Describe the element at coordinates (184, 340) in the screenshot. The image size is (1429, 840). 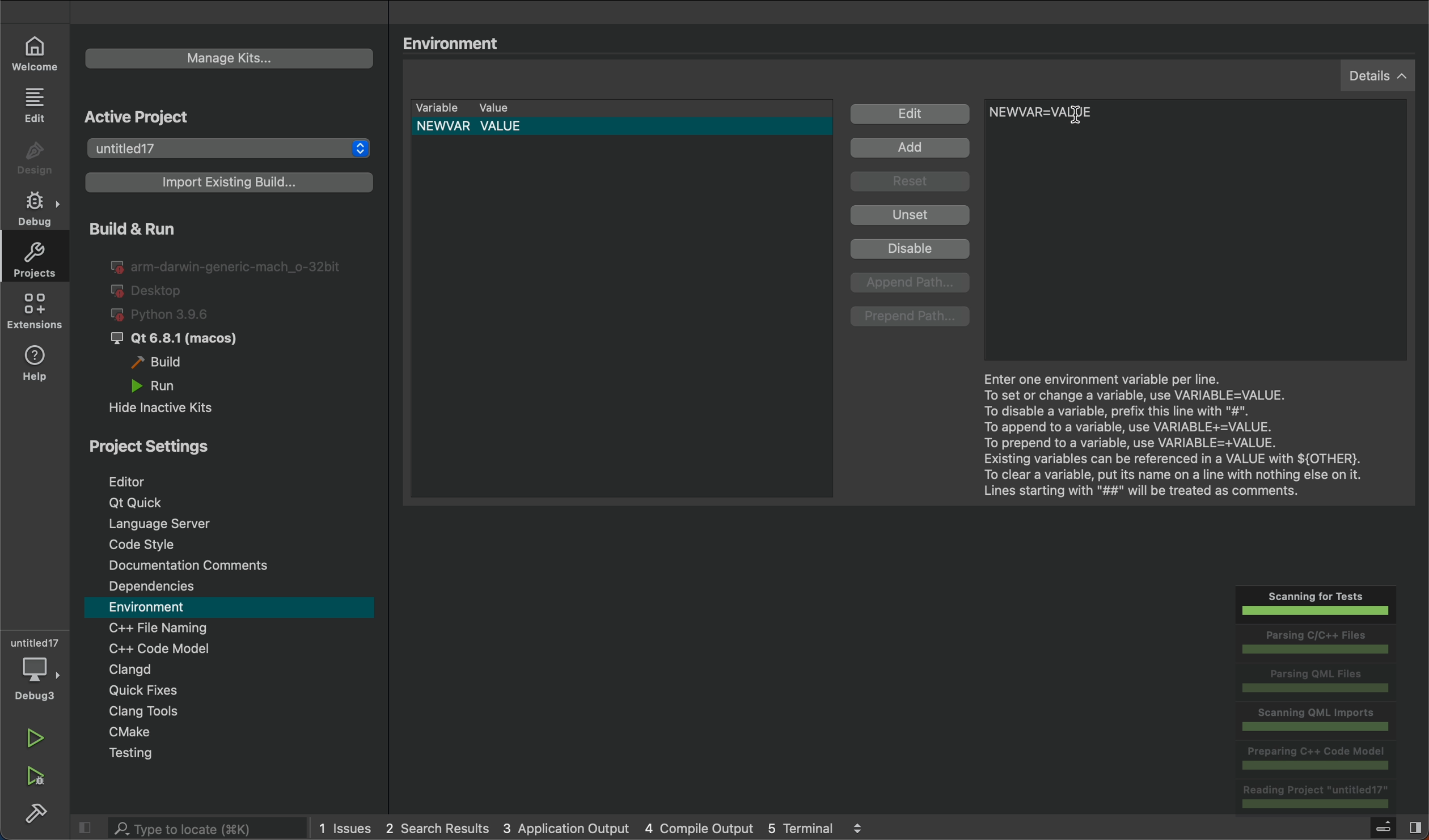
I see `J Qt 6.8.1 (macos)` at that location.